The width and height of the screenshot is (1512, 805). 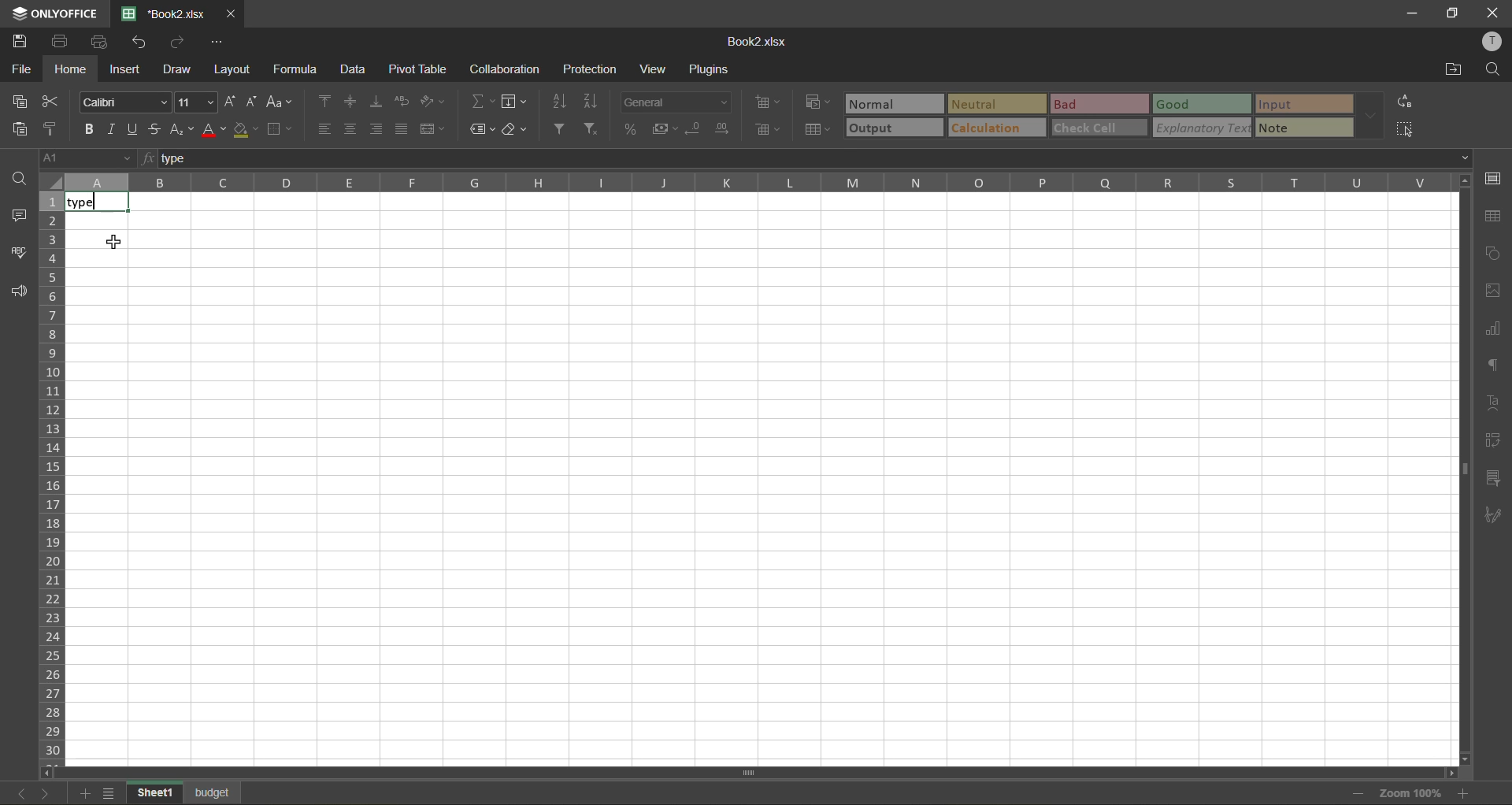 I want to click on font style, so click(x=123, y=103).